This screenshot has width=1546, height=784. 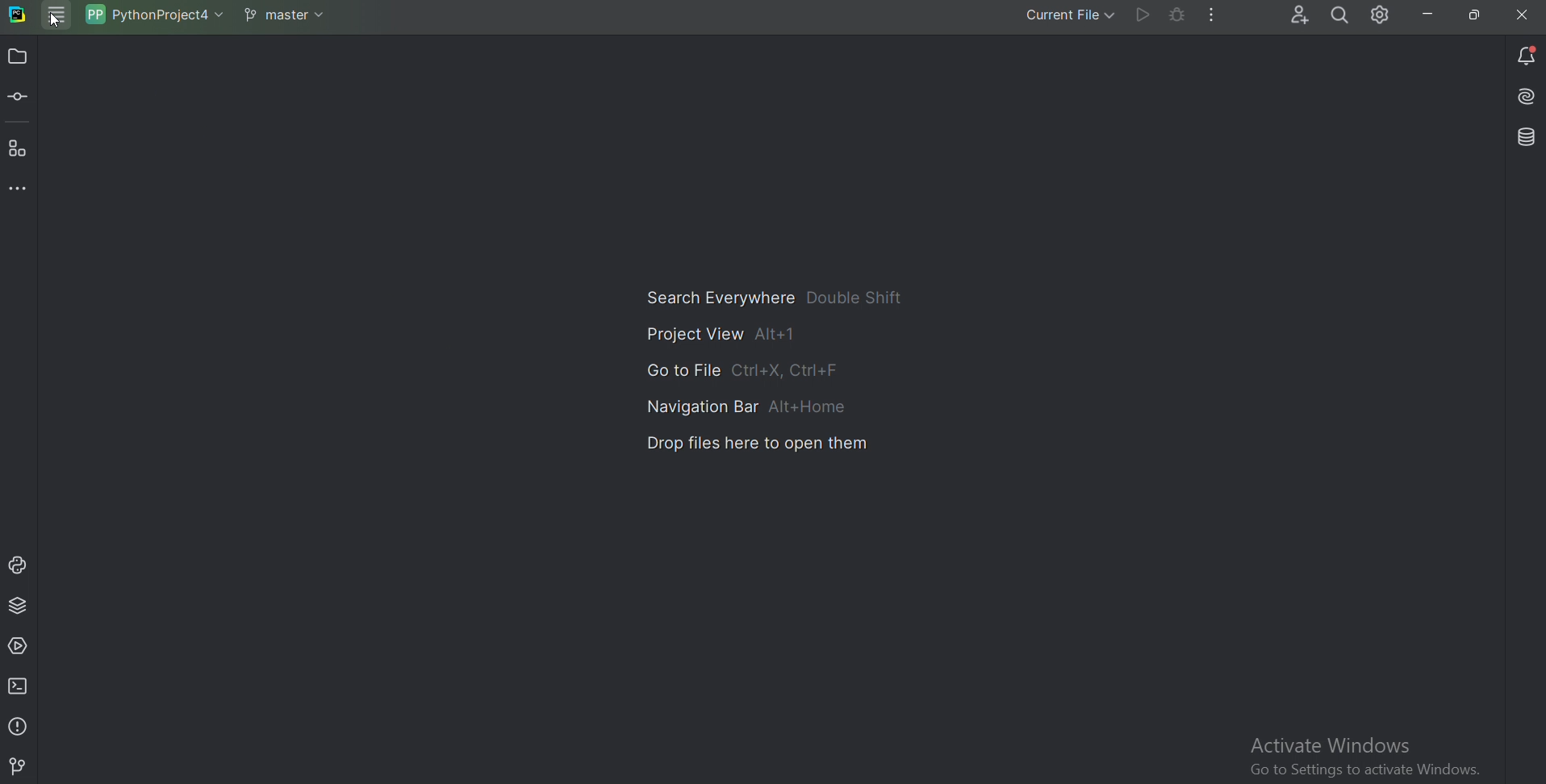 What do you see at coordinates (19, 724) in the screenshot?
I see `Problems` at bounding box center [19, 724].